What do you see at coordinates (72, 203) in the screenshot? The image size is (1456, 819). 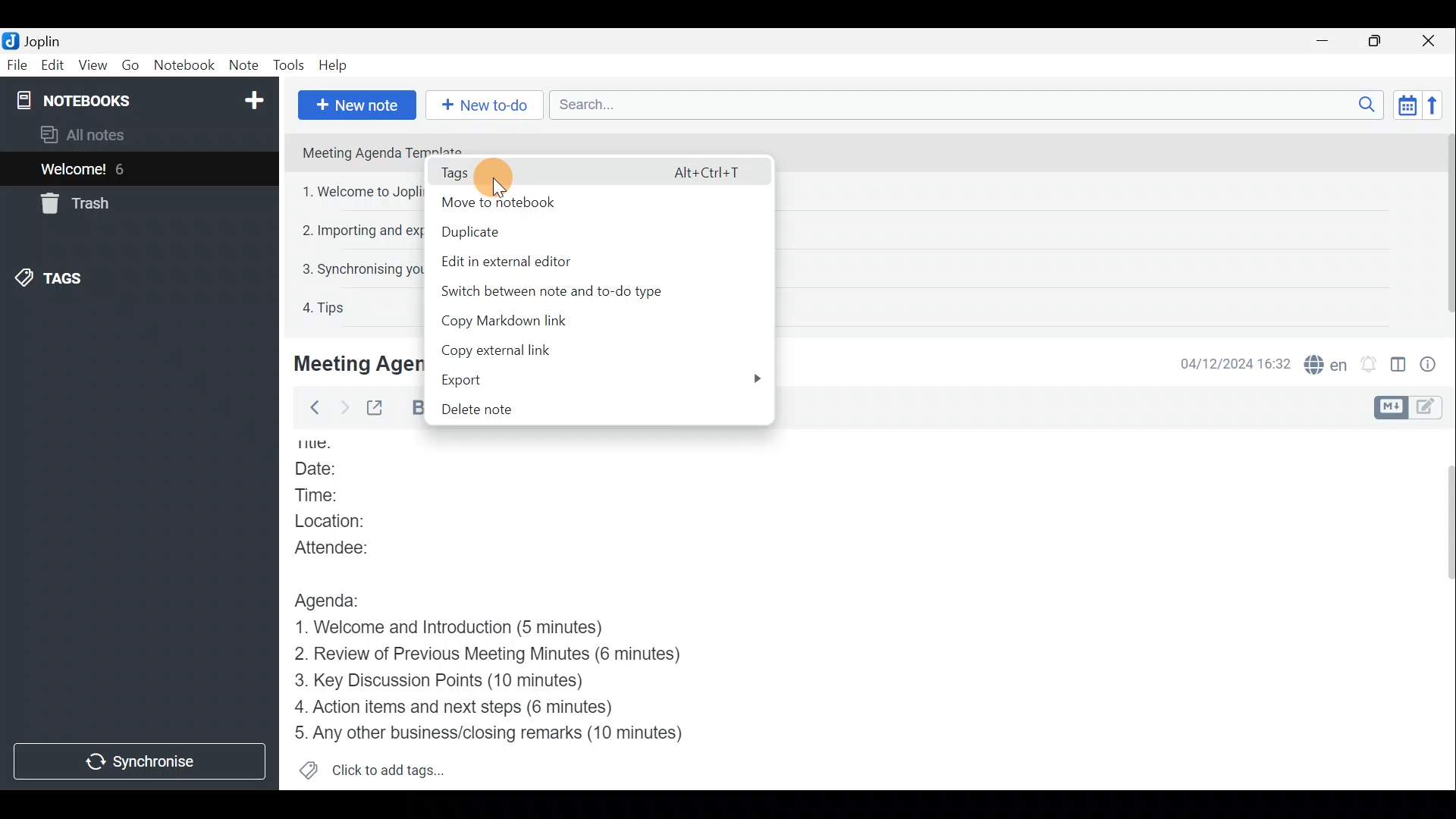 I see `Trash` at bounding box center [72, 203].